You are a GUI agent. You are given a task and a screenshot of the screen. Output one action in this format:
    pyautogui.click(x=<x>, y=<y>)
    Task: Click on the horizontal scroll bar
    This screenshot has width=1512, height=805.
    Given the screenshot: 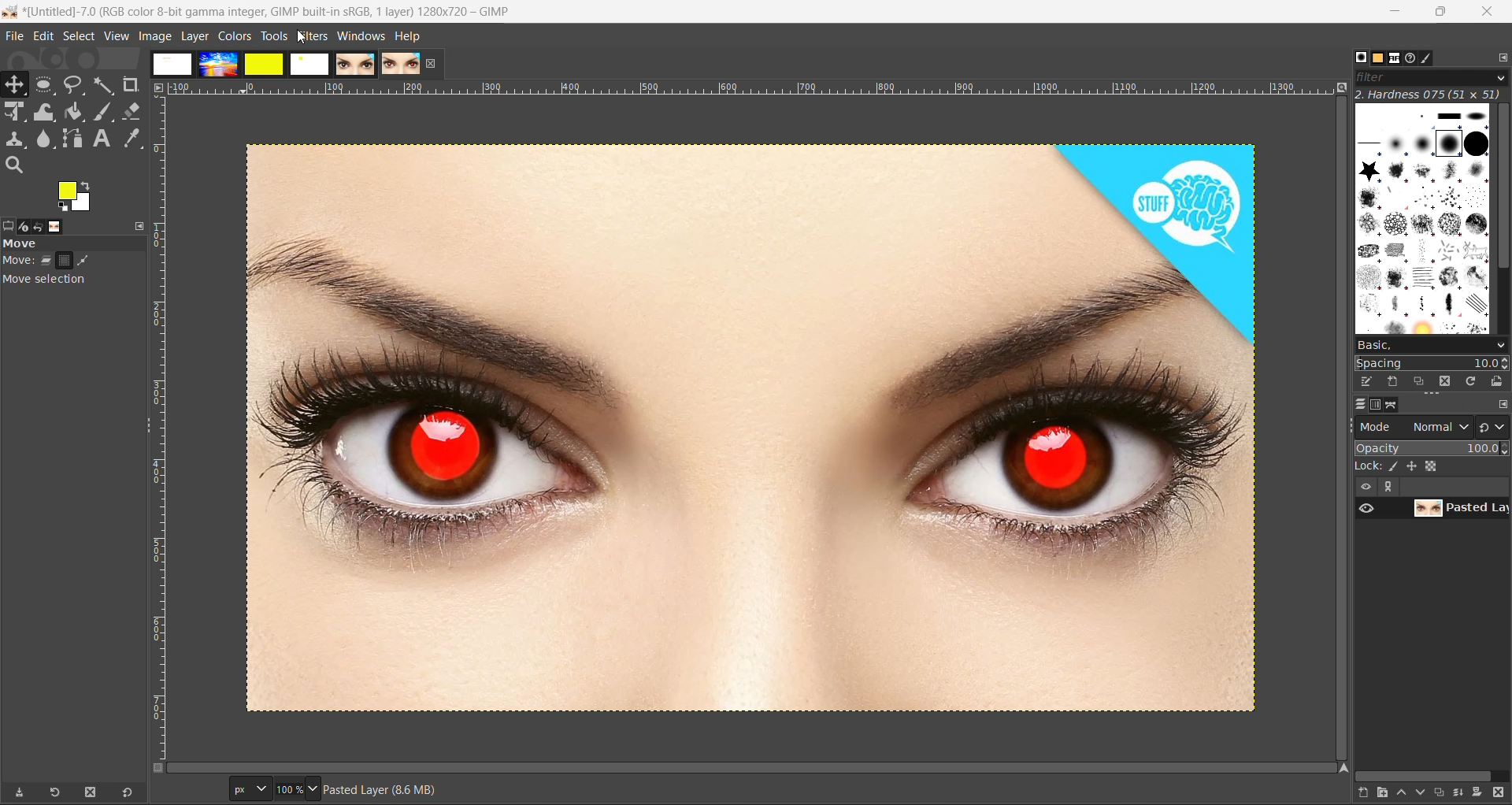 What is the action you would take?
    pyautogui.click(x=1427, y=774)
    